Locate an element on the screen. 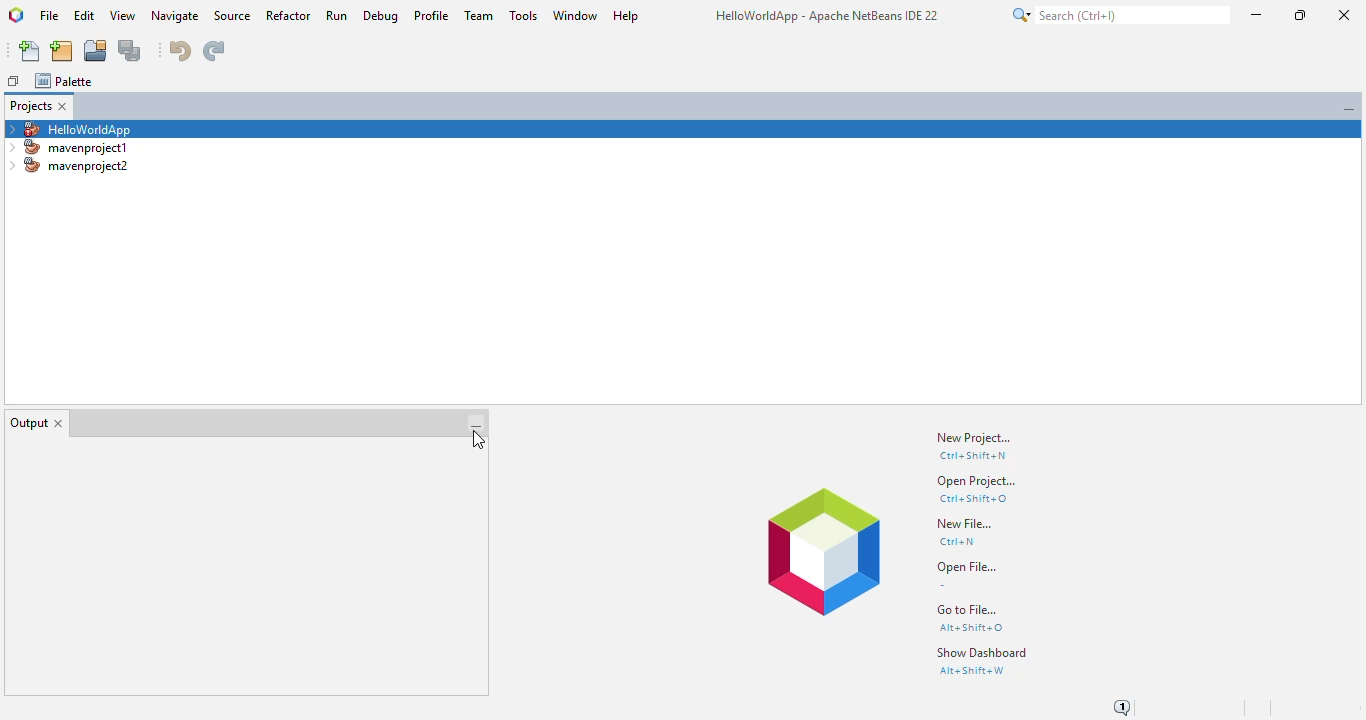 This screenshot has height=720, width=1366. undo is located at coordinates (181, 50).